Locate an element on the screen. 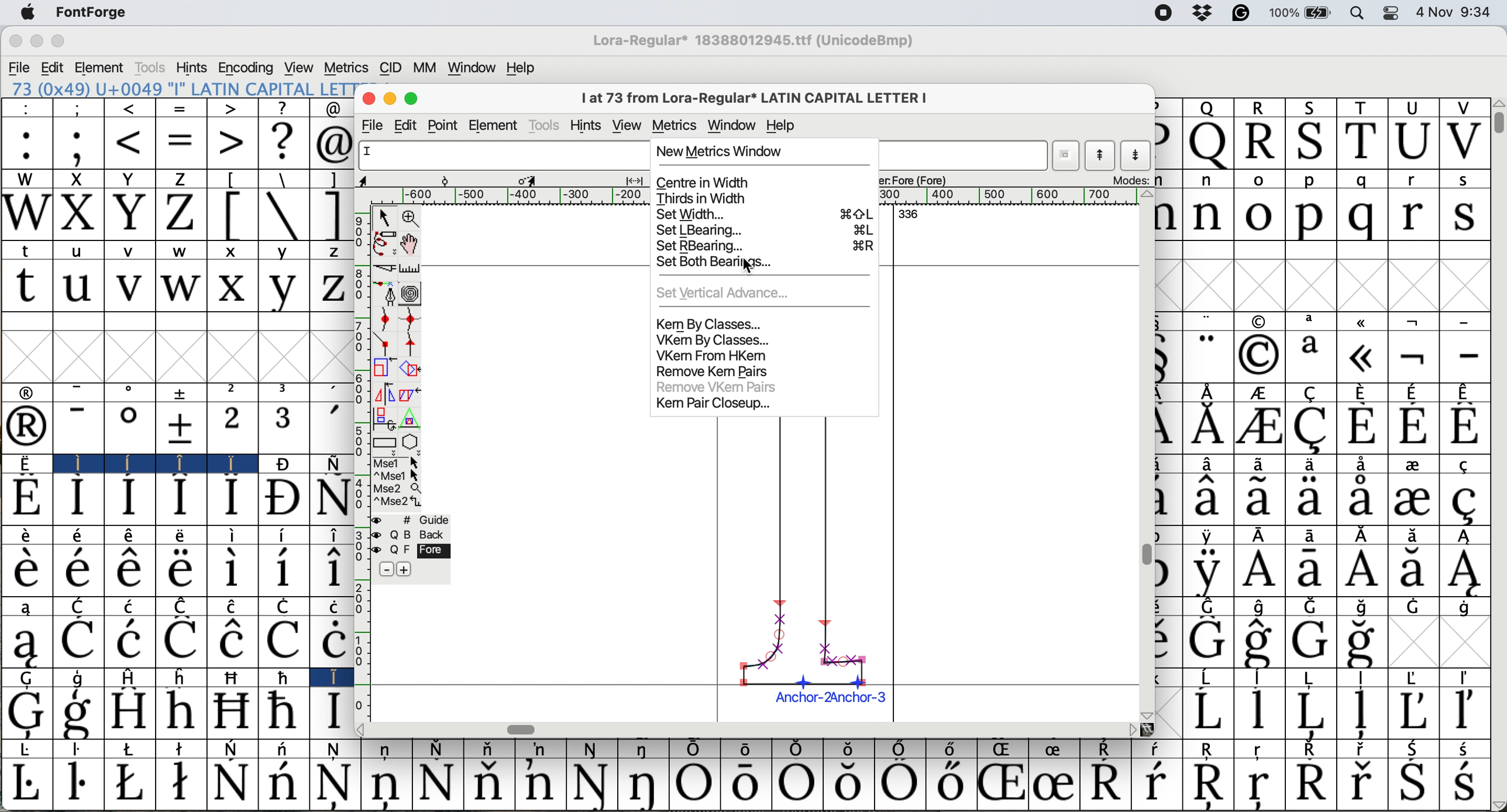 The width and height of the screenshot is (1507, 812). spotlight search is located at coordinates (1357, 15).